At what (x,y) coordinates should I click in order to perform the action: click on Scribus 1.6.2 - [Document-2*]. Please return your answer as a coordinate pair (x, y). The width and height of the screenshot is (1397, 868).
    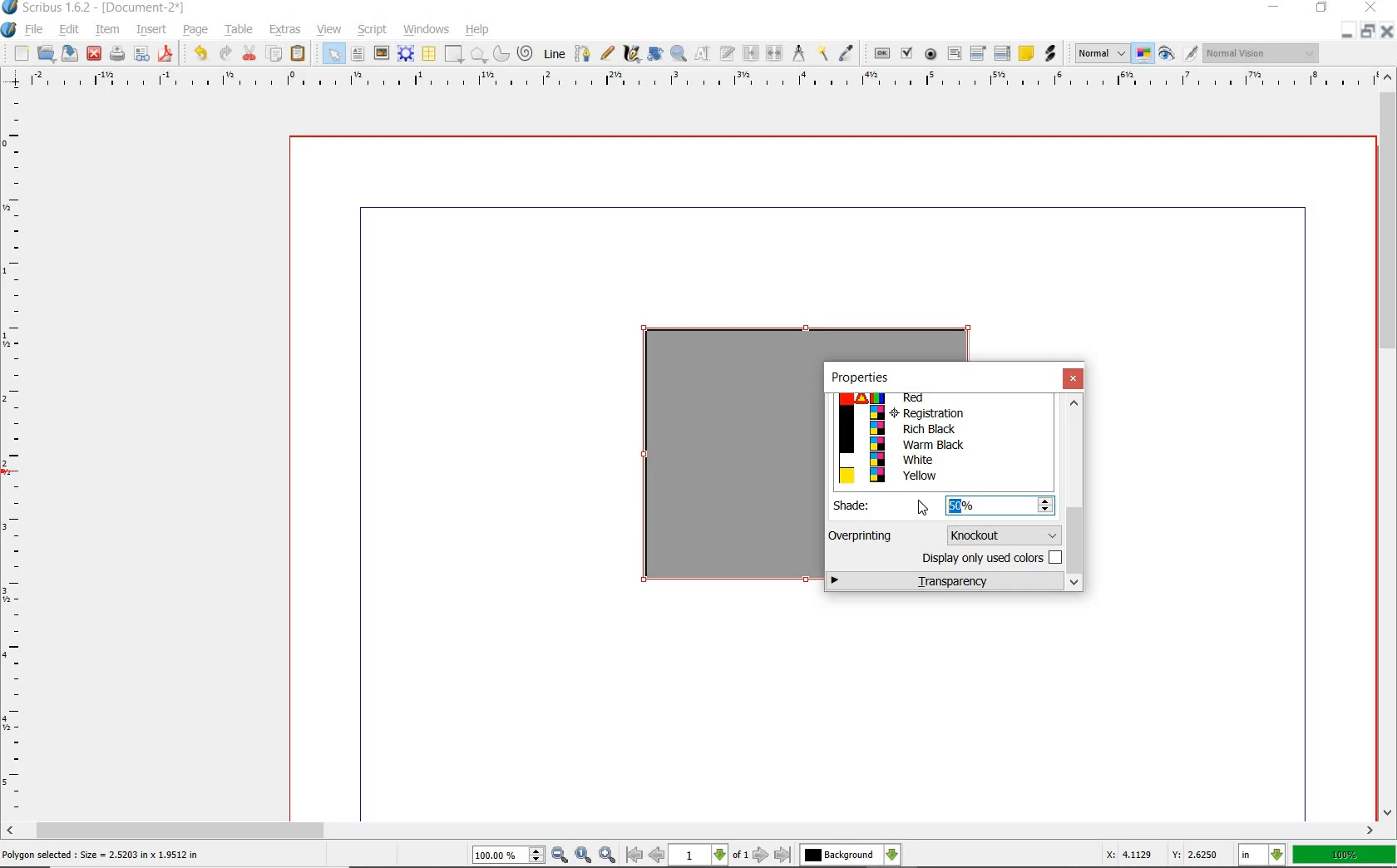
    Looking at the image, I should click on (96, 8).